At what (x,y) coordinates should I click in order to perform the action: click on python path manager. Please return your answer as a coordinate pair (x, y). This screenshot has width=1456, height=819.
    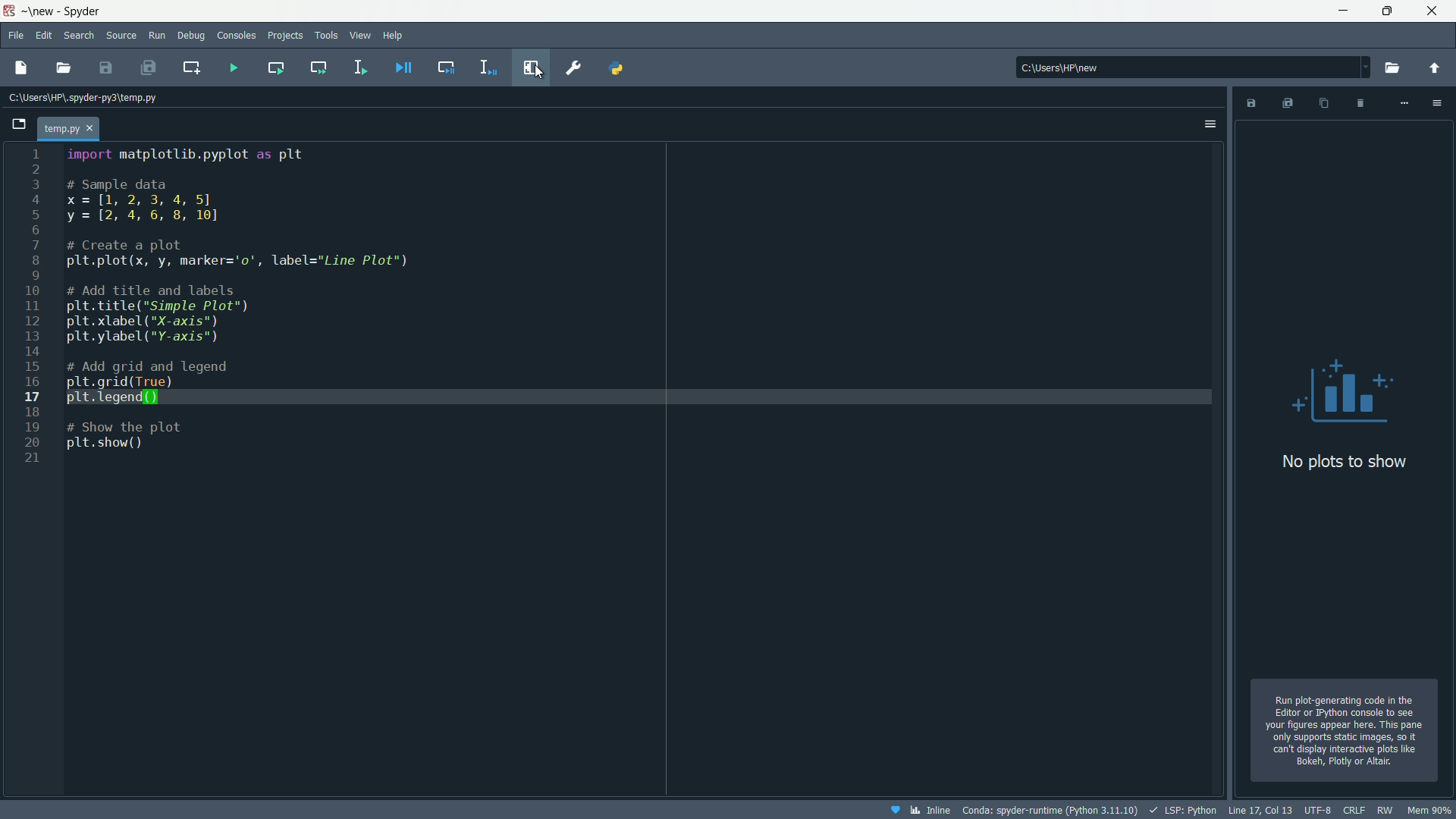
    Looking at the image, I should click on (615, 67).